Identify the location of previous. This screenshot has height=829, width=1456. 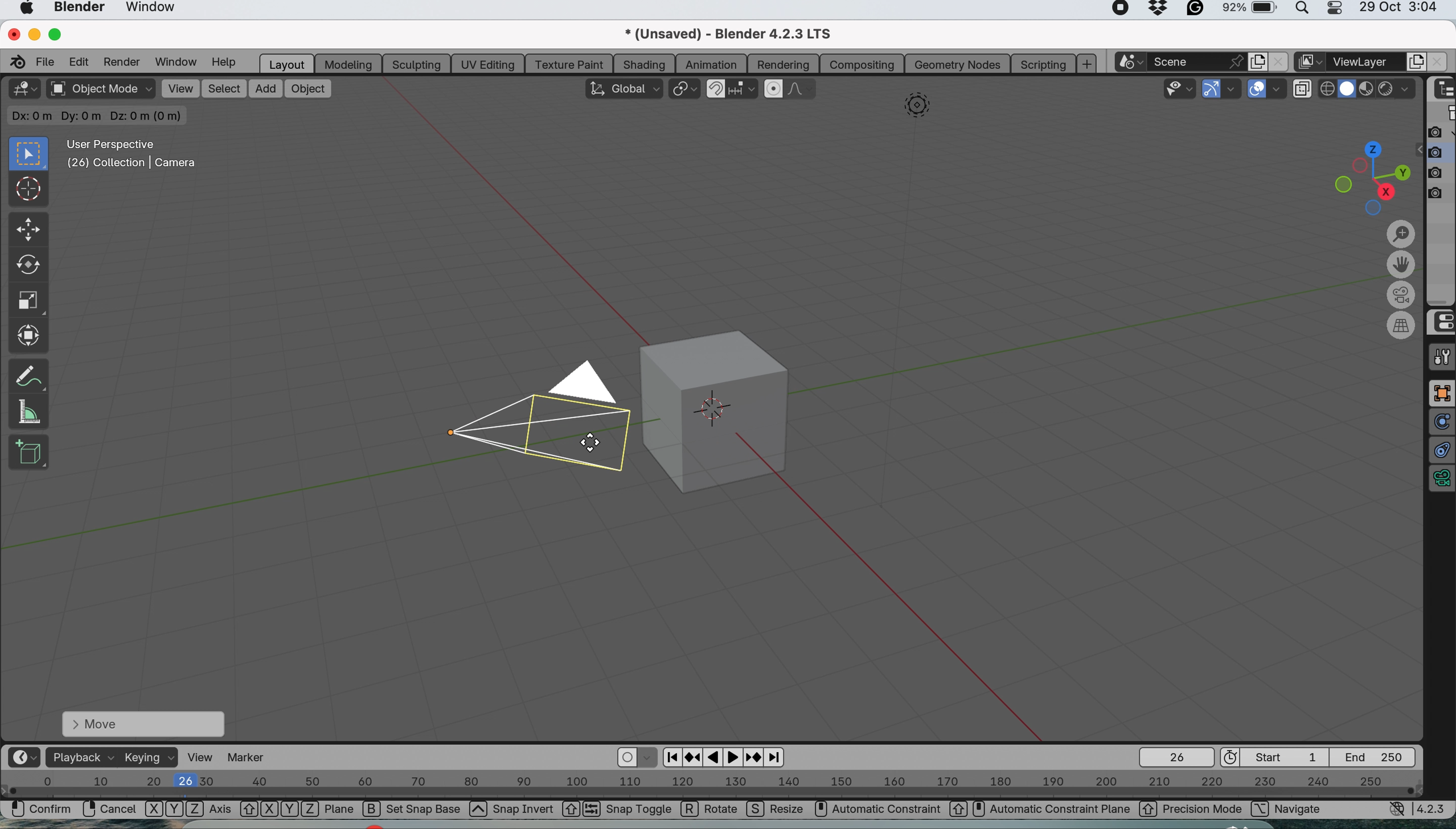
(670, 756).